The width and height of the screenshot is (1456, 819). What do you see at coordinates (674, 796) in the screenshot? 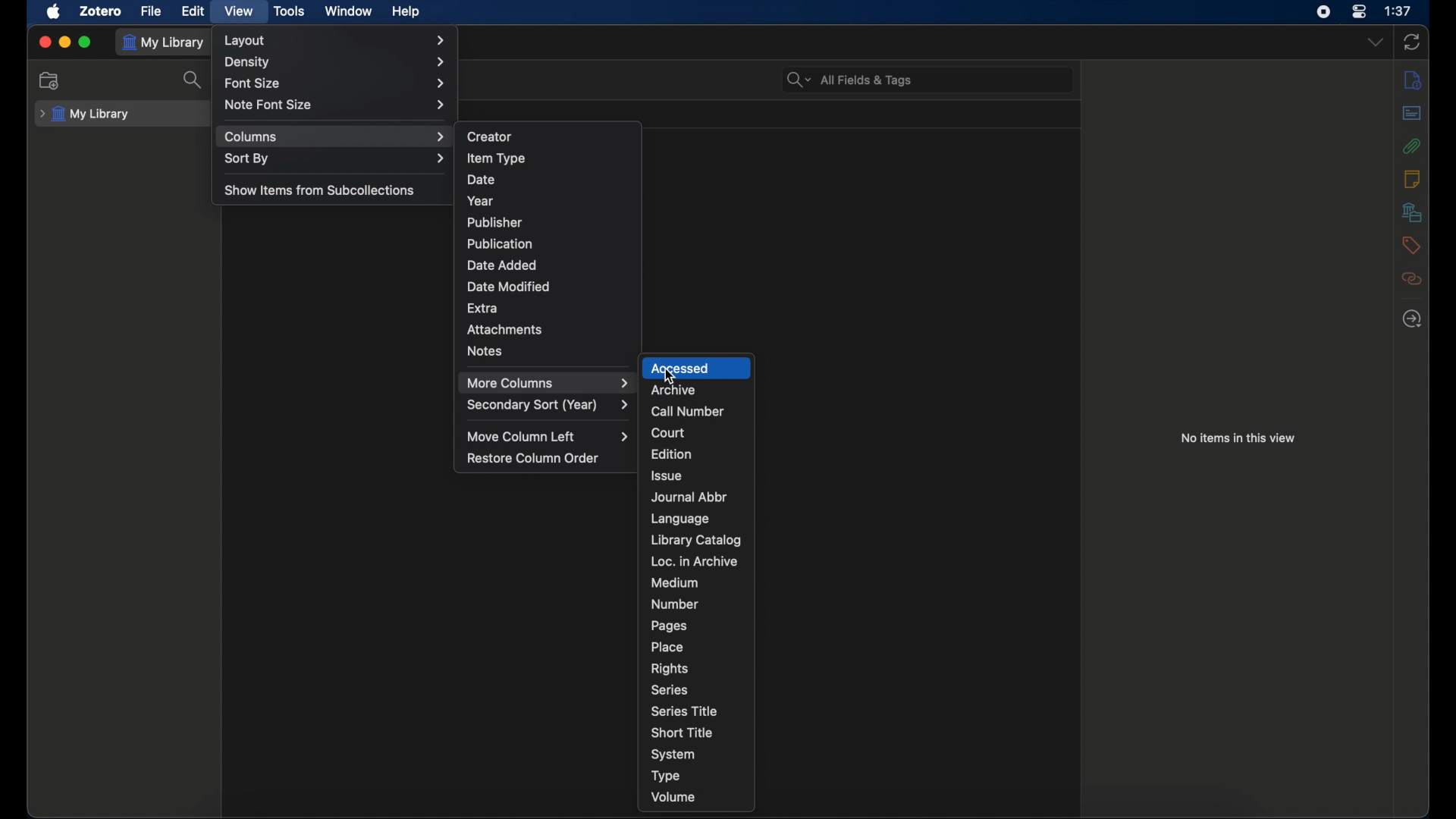
I see `volume` at bounding box center [674, 796].